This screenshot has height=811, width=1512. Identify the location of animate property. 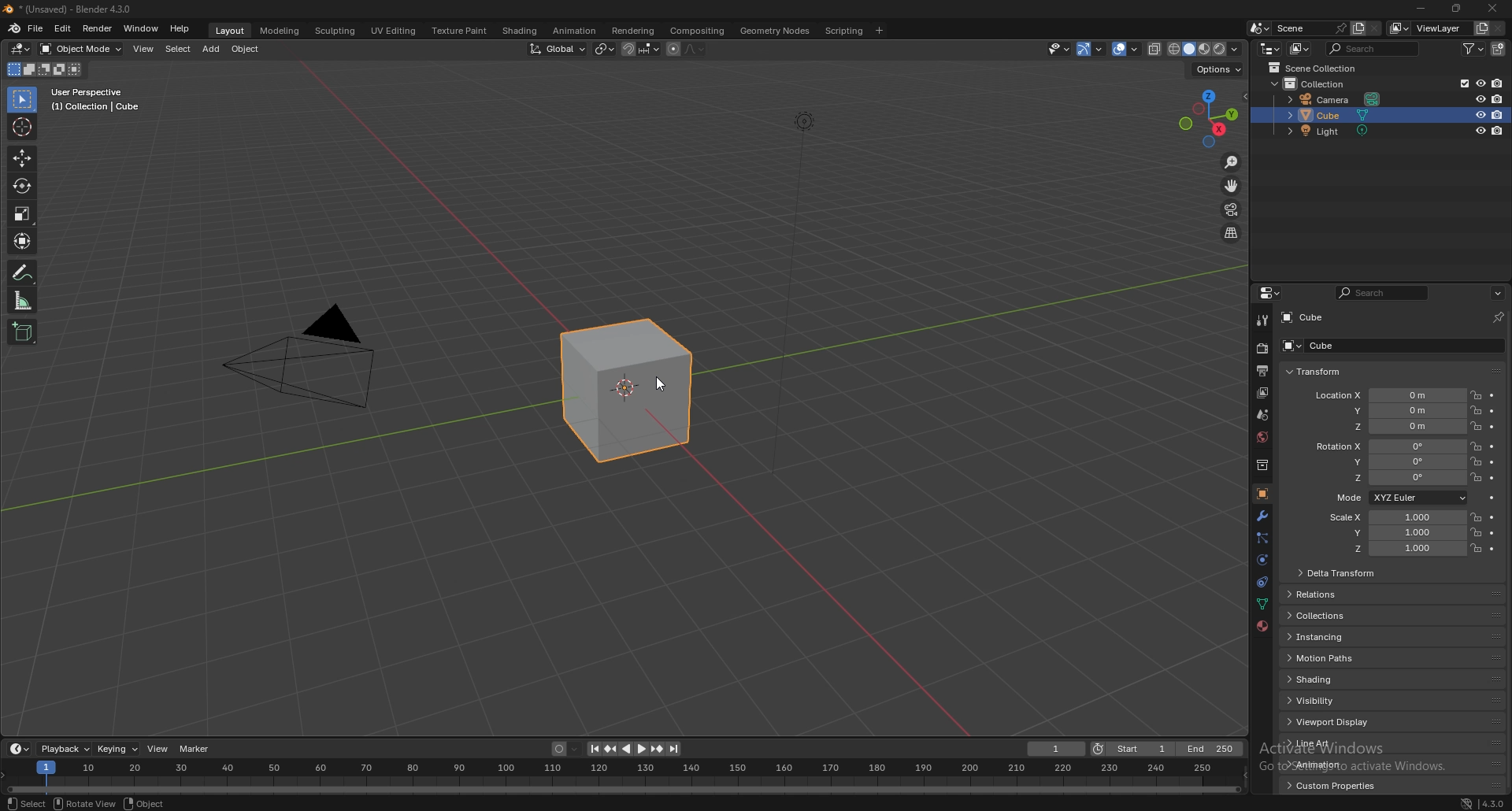
(1492, 549).